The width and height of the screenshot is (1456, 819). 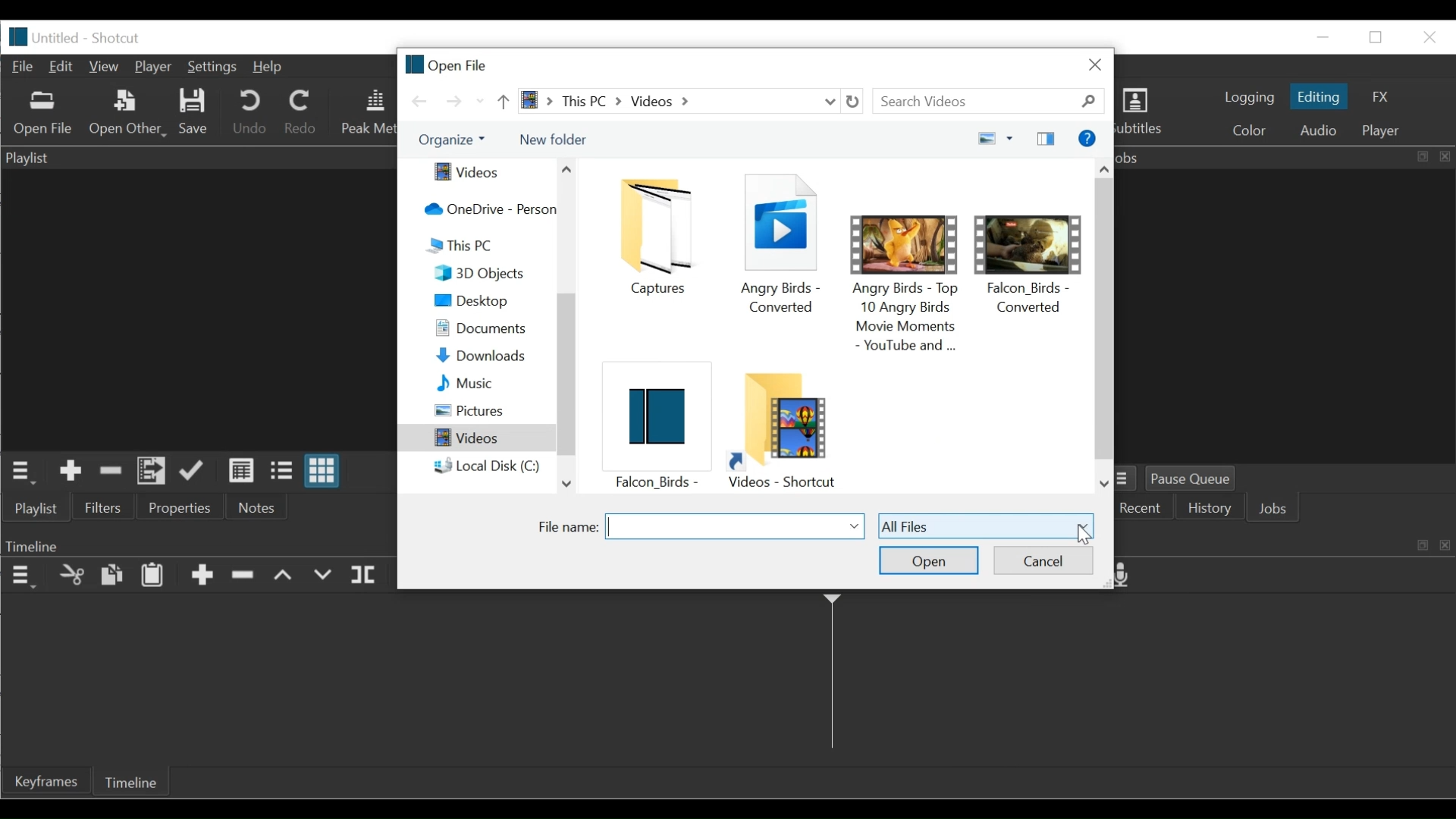 What do you see at coordinates (993, 102) in the screenshot?
I see `Search videos` at bounding box center [993, 102].